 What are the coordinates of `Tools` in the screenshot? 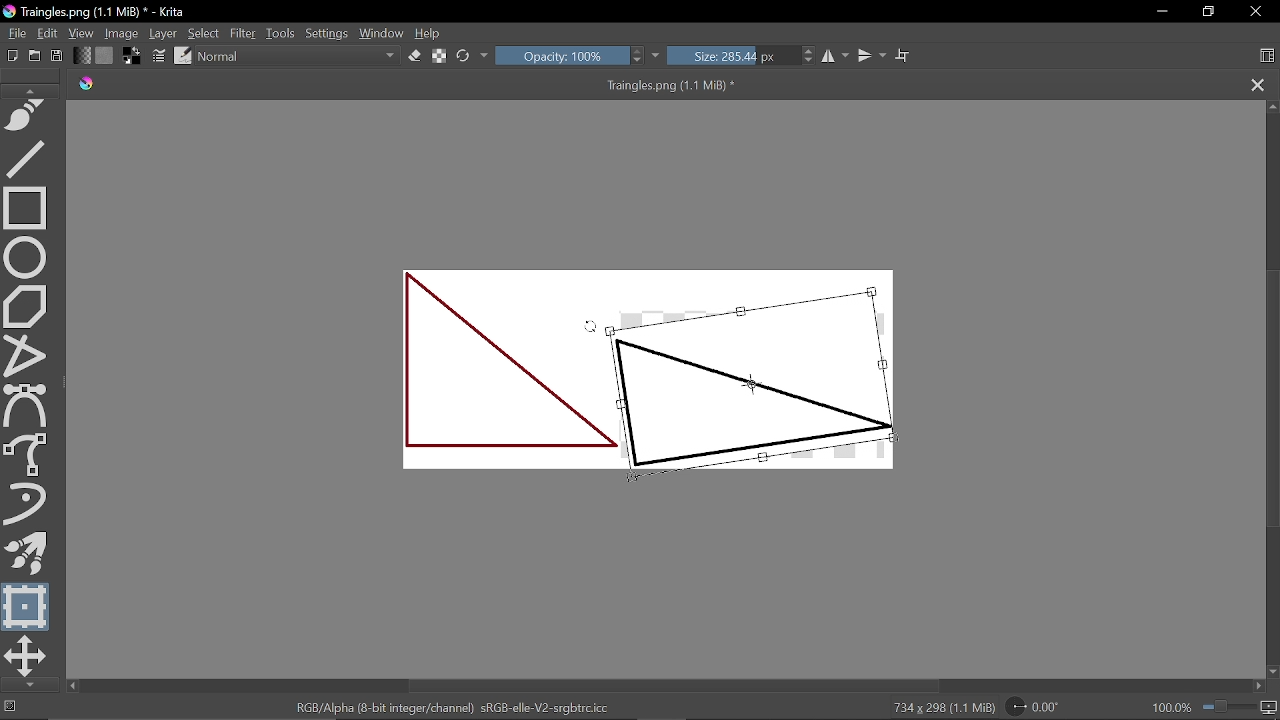 It's located at (282, 33).